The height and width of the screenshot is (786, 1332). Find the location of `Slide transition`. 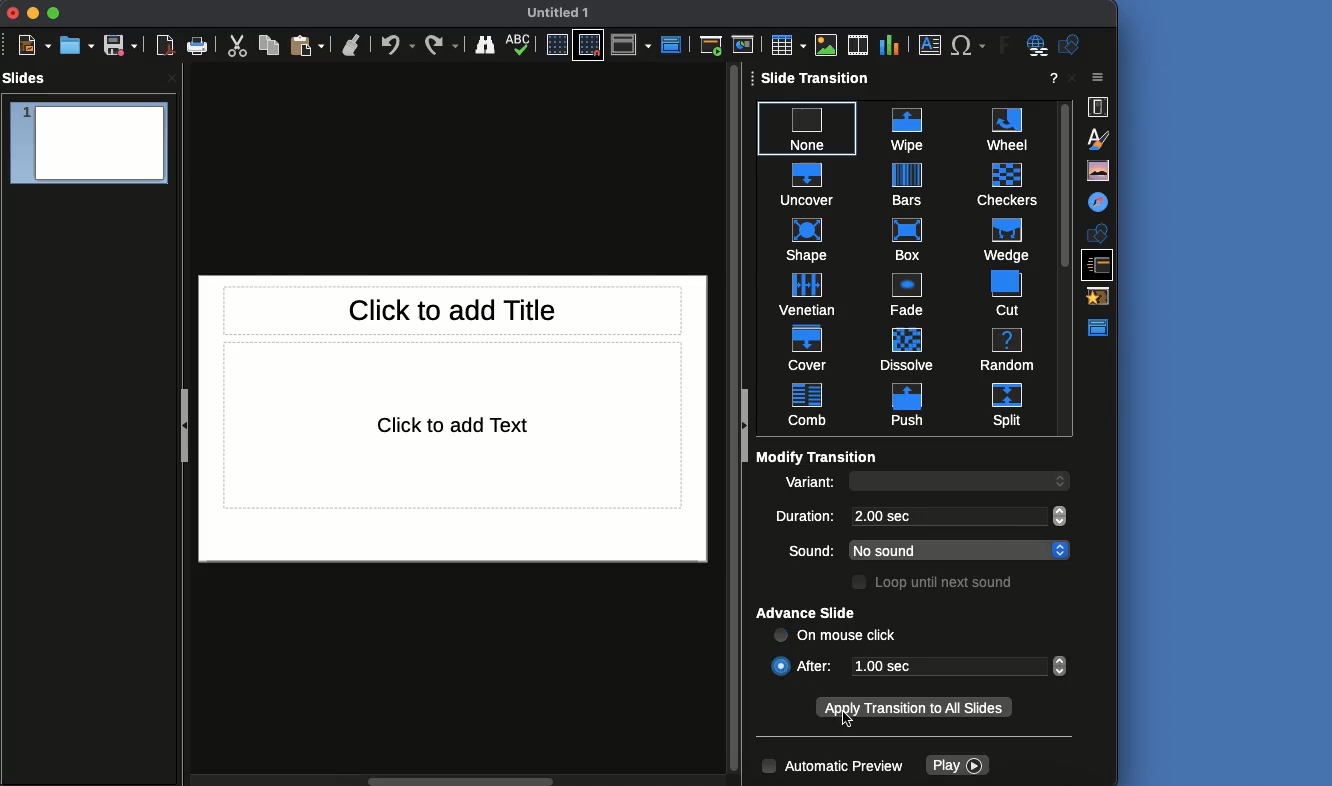

Slide transition is located at coordinates (1101, 263).